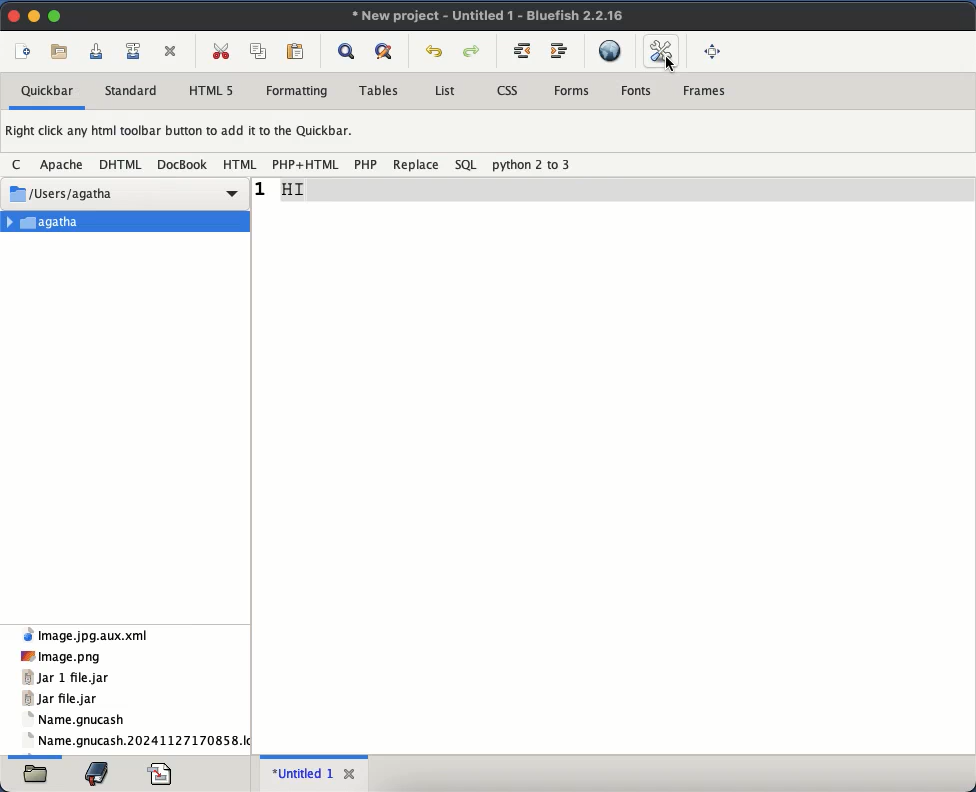 Image resolution: width=976 pixels, height=792 pixels. What do you see at coordinates (171, 51) in the screenshot?
I see `close` at bounding box center [171, 51].